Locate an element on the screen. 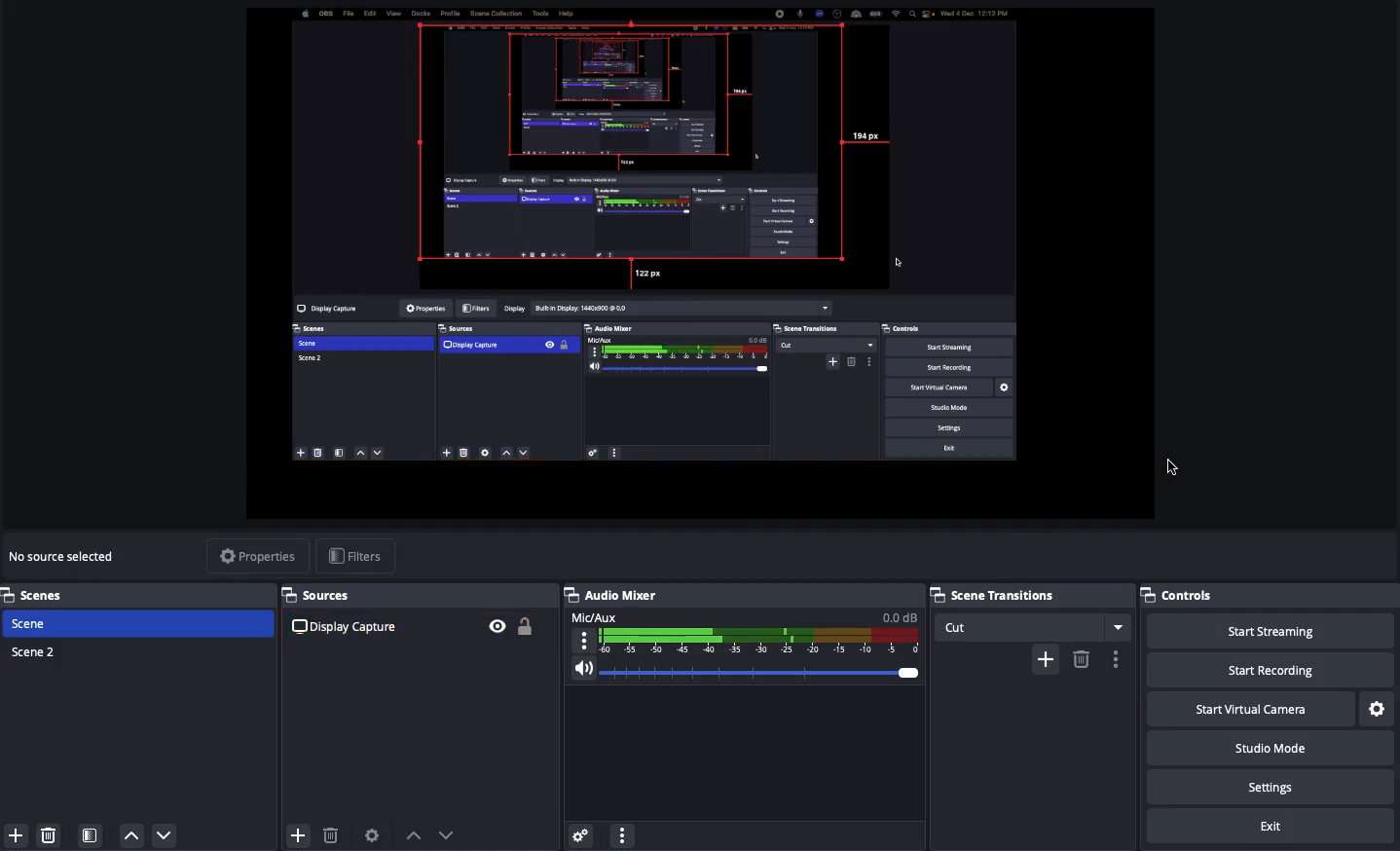 Image resolution: width=1400 pixels, height=851 pixels. Add is located at coordinates (14, 833).